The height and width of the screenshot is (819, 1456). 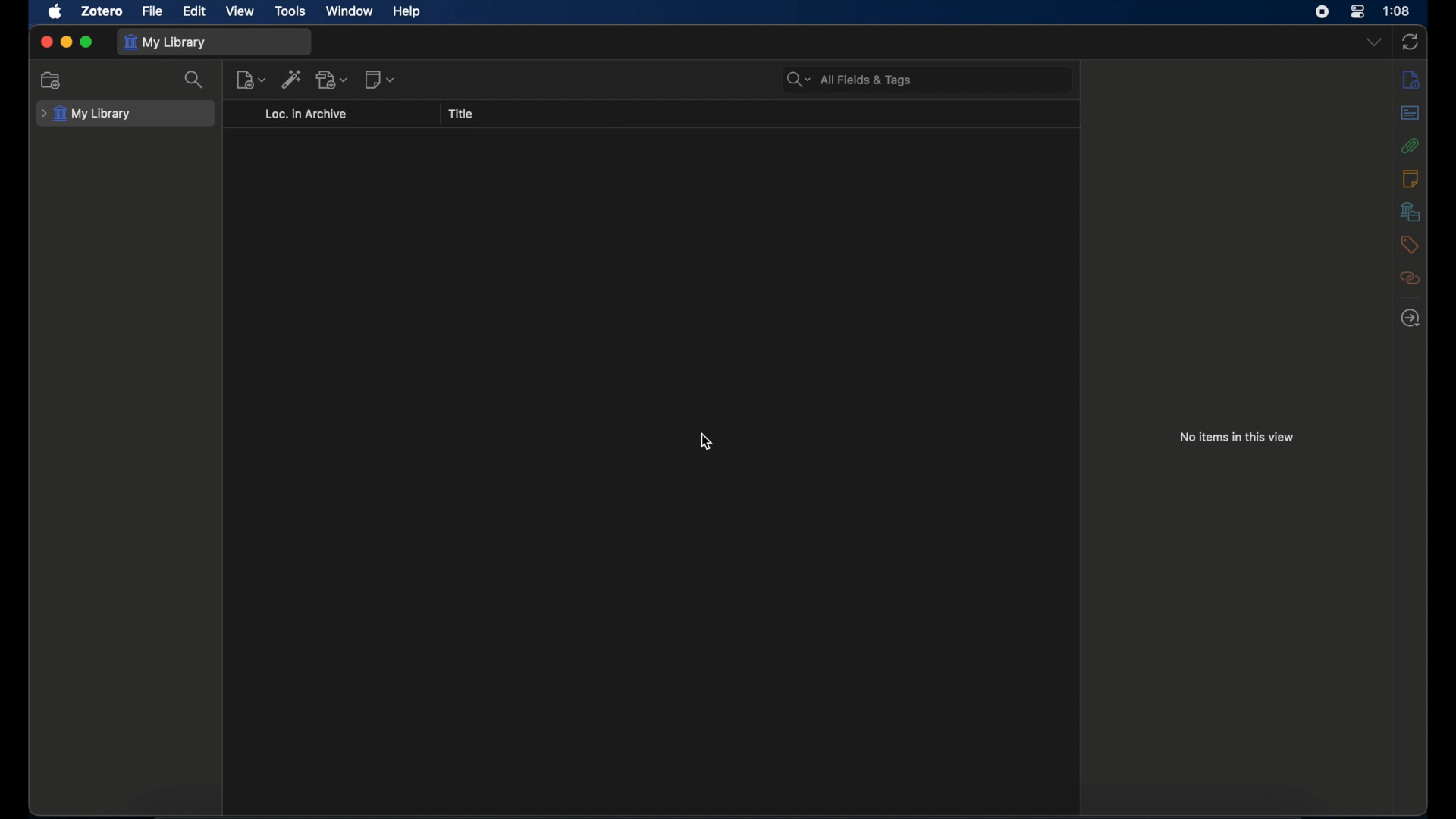 What do you see at coordinates (86, 115) in the screenshot?
I see `my library` at bounding box center [86, 115].